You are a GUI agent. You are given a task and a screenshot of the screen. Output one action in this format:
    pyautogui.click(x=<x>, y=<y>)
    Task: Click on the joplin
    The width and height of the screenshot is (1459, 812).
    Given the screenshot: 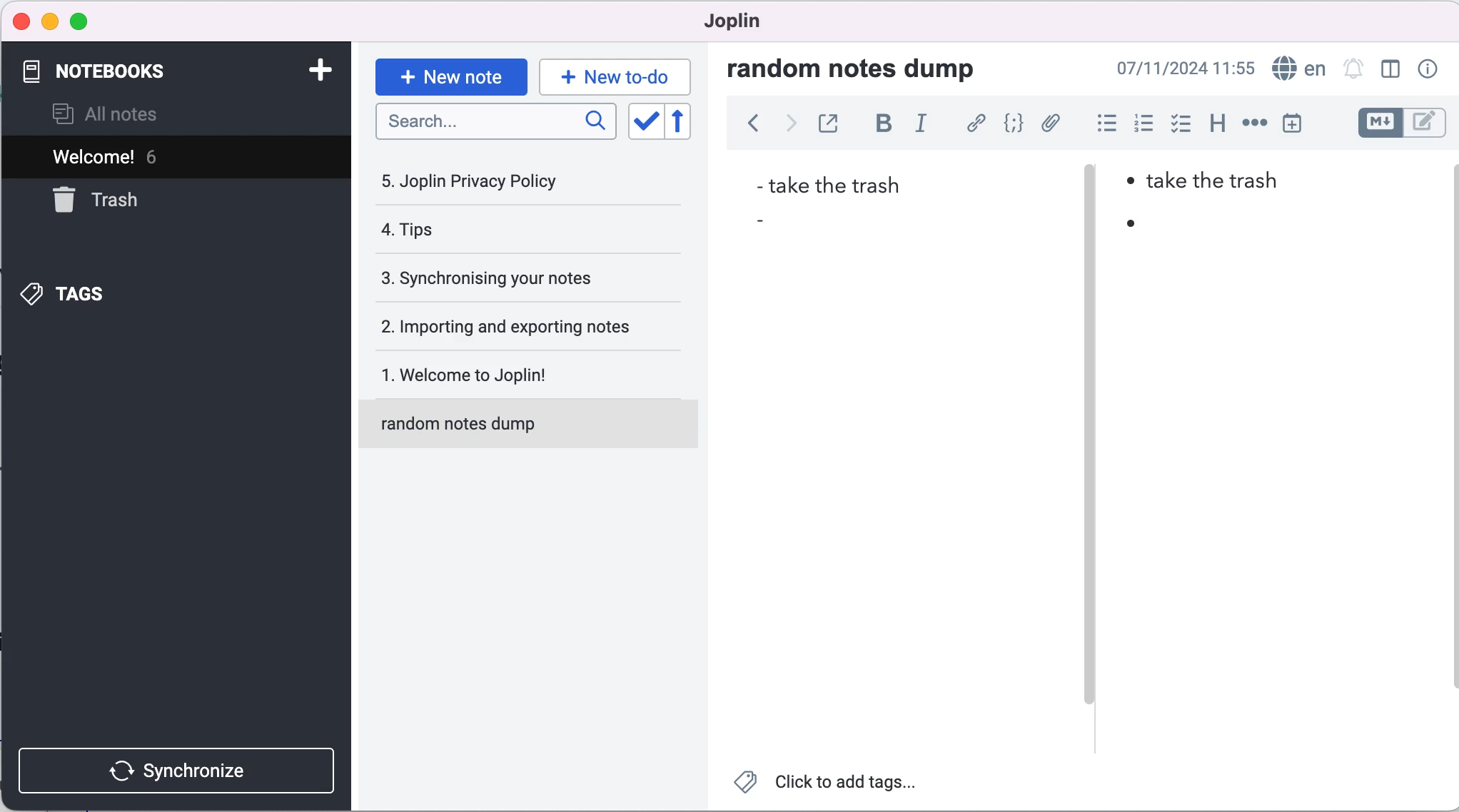 What is the action you would take?
    pyautogui.click(x=739, y=25)
    